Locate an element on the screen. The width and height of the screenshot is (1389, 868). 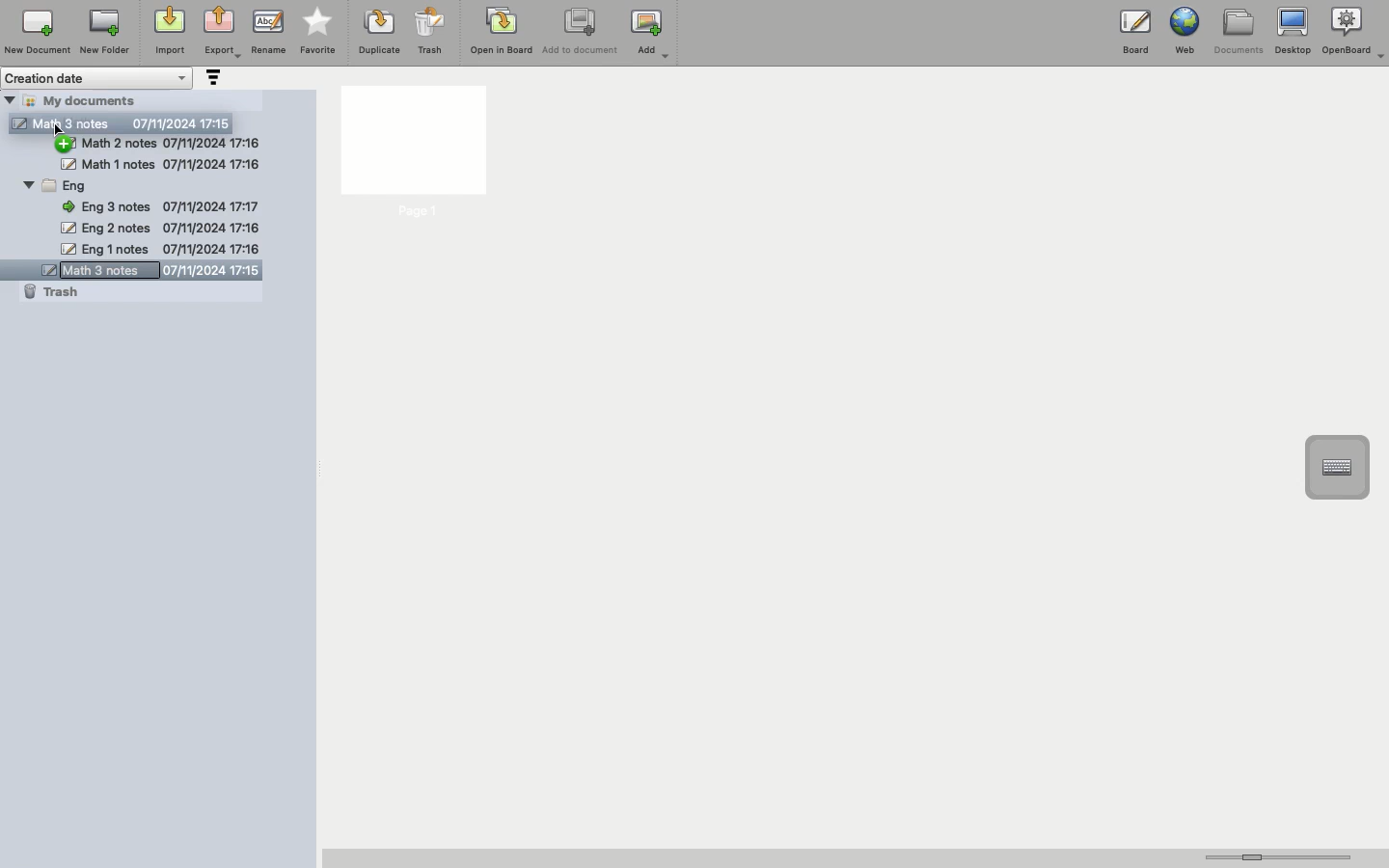
Sort is located at coordinates (211, 79).